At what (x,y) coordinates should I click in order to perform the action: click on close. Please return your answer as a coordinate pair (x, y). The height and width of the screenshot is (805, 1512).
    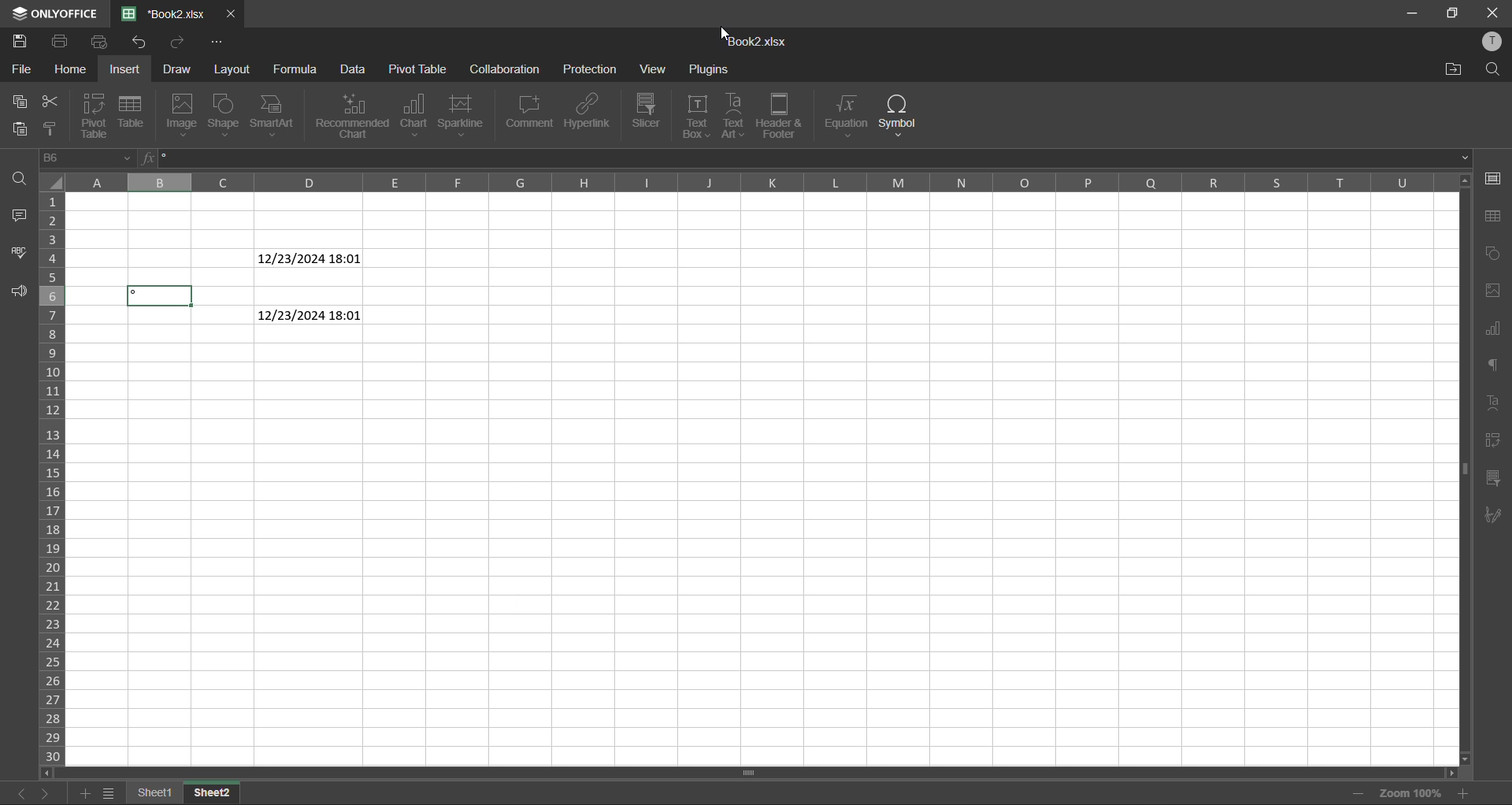
    Looking at the image, I should click on (232, 13).